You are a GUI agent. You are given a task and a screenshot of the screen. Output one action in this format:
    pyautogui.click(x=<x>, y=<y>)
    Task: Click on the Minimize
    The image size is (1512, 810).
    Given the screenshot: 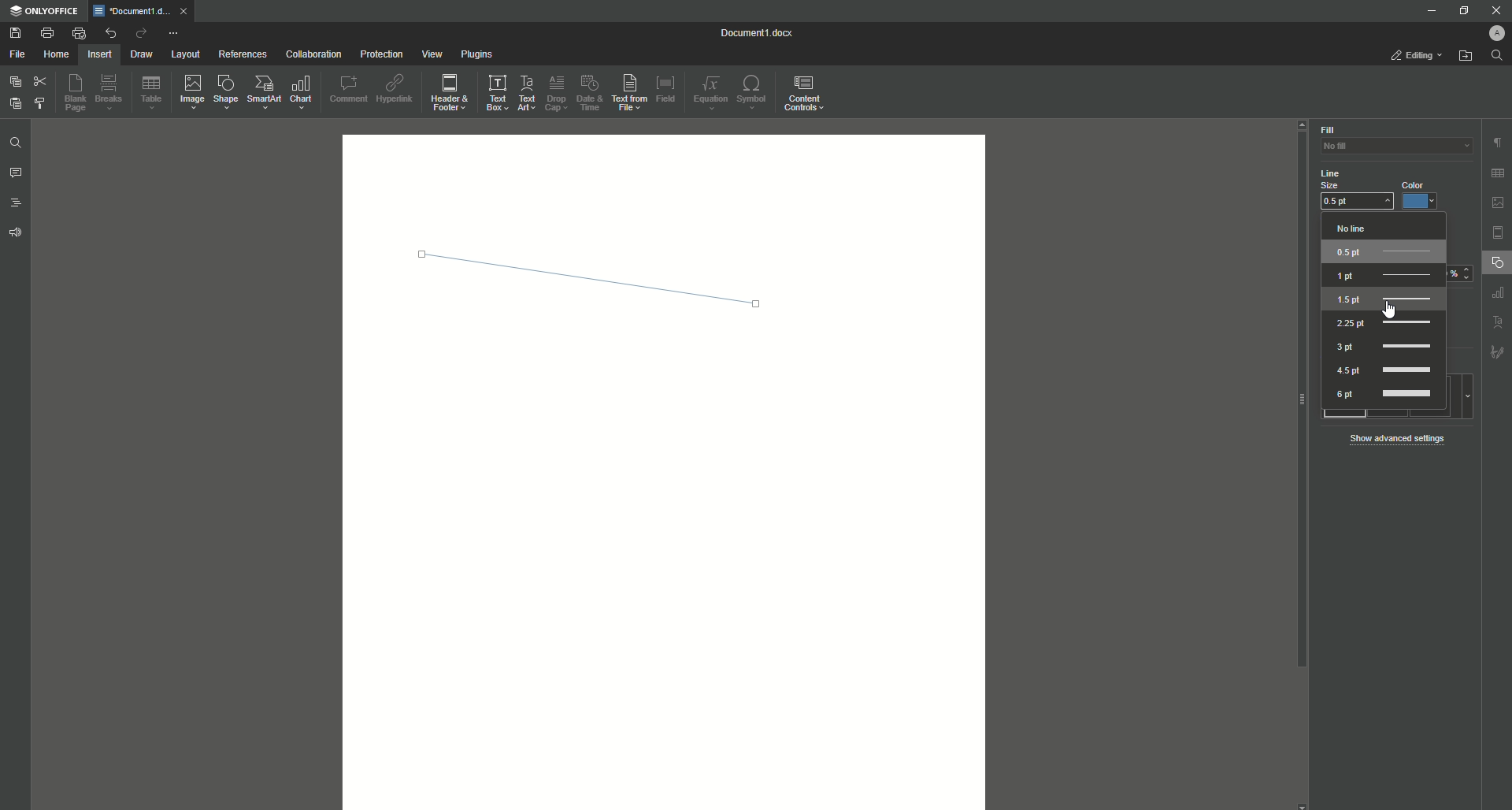 What is the action you would take?
    pyautogui.click(x=1427, y=10)
    